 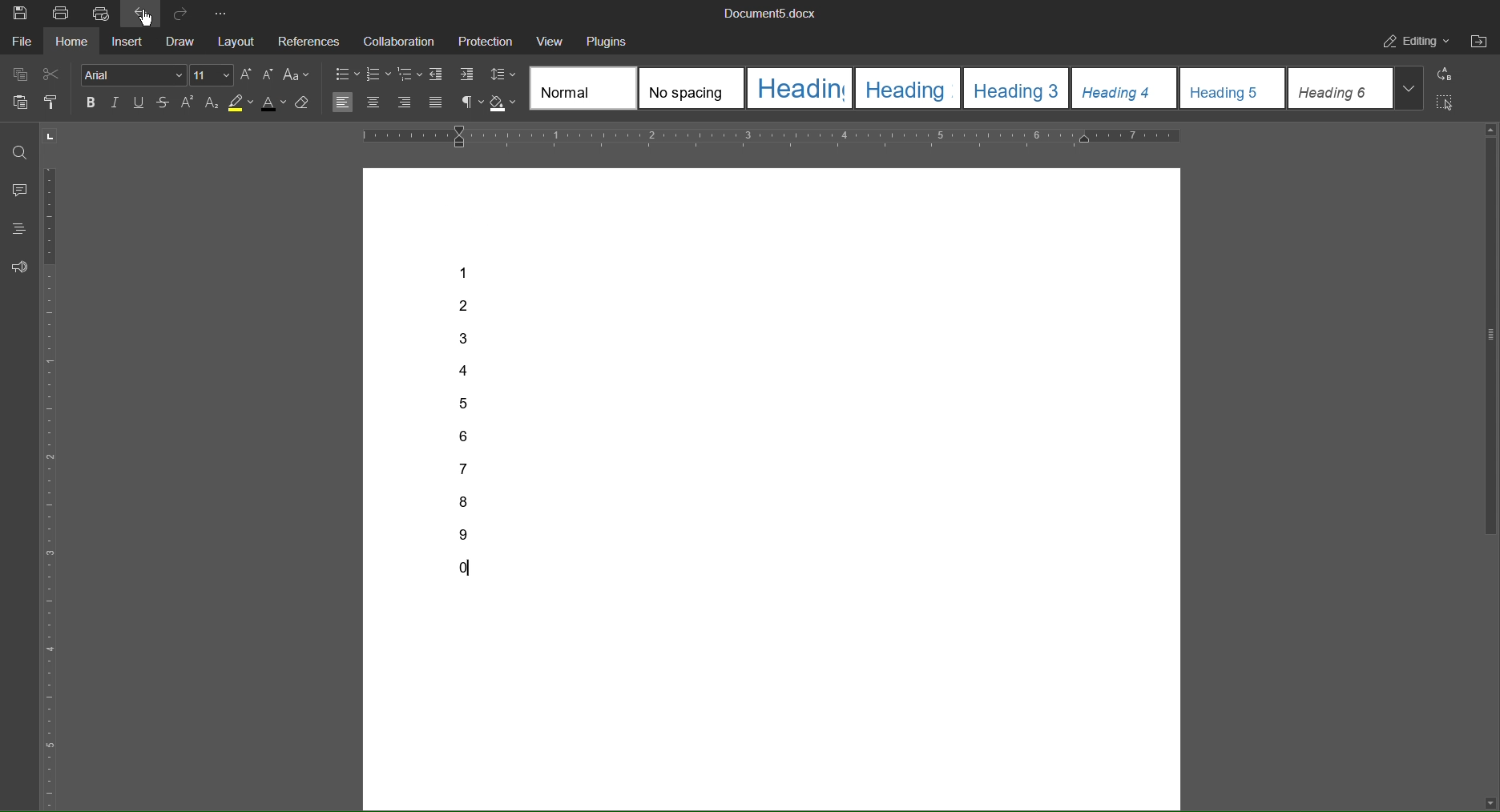 What do you see at coordinates (503, 104) in the screenshot?
I see `Shadow` at bounding box center [503, 104].